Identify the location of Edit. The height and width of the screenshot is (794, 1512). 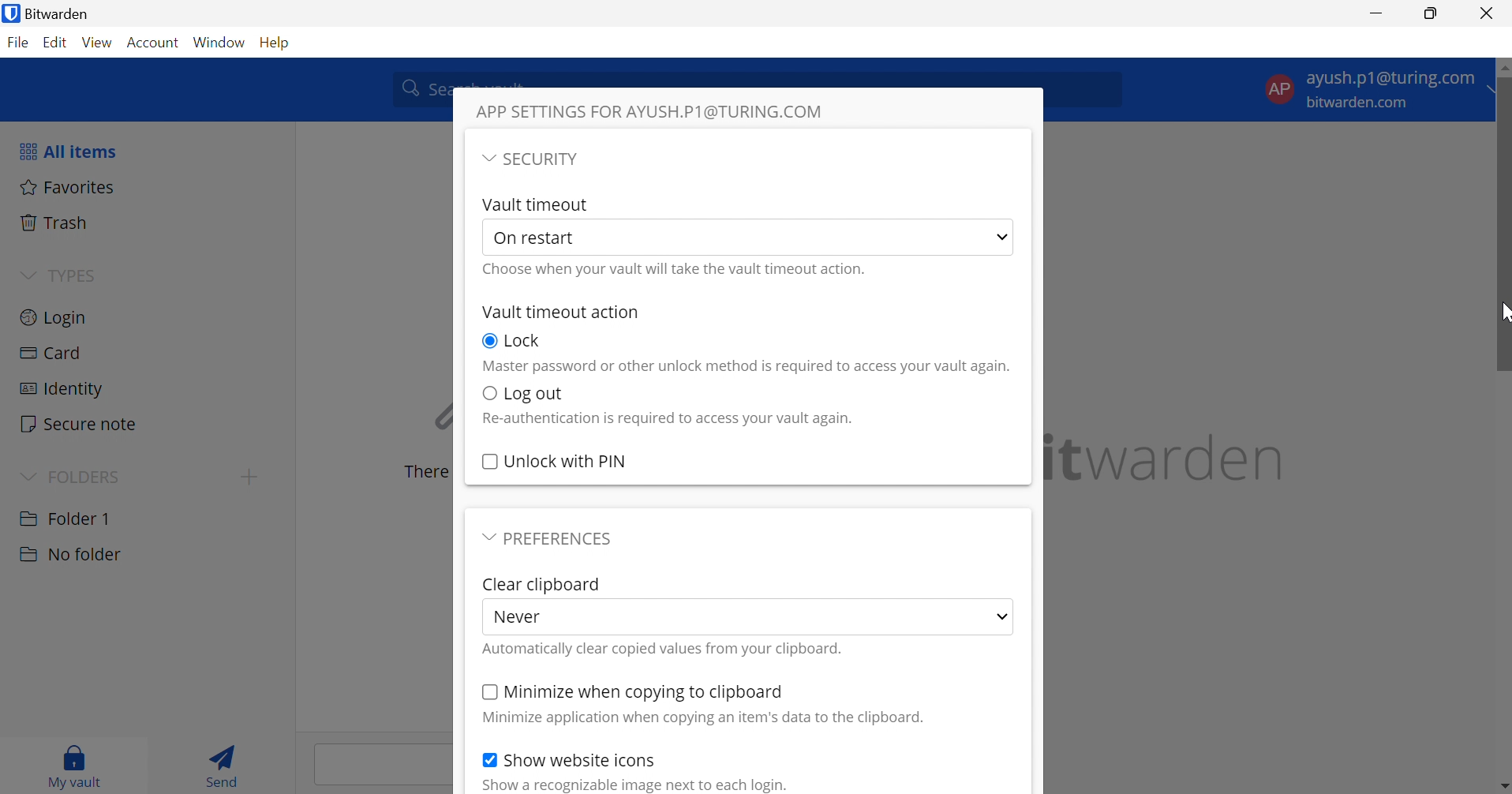
(56, 44).